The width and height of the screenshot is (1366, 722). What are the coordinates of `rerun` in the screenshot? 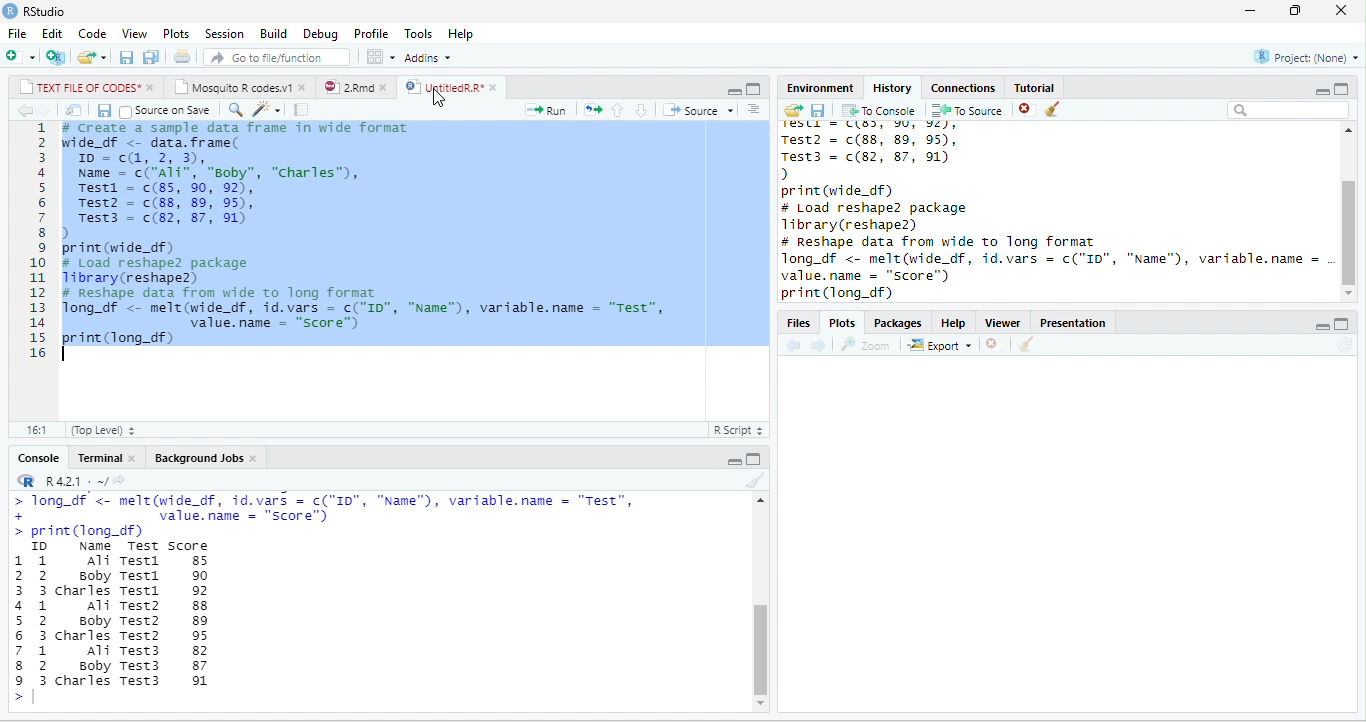 It's located at (593, 110).